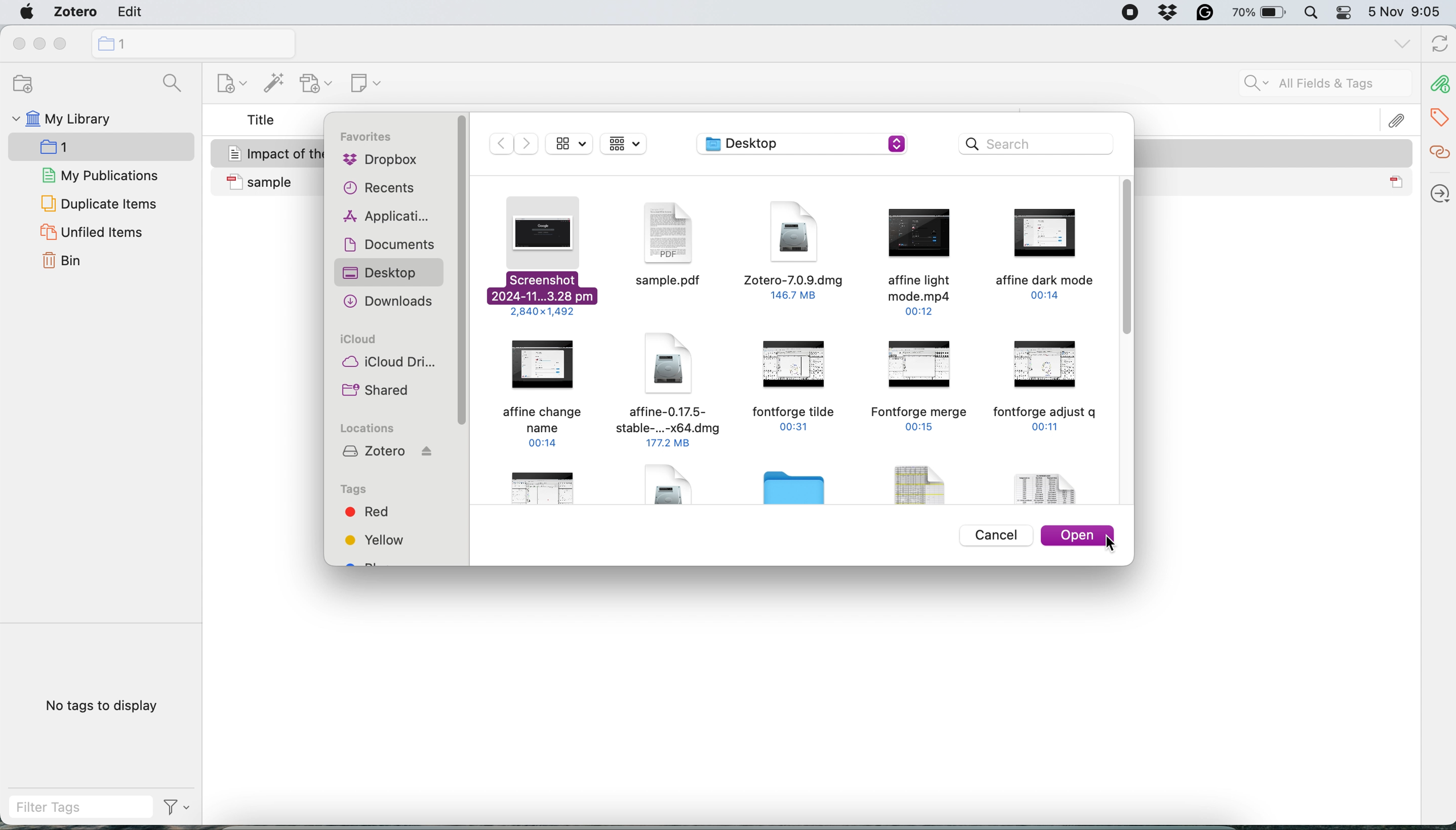 The image size is (1456, 830). I want to click on tags, so click(361, 490).